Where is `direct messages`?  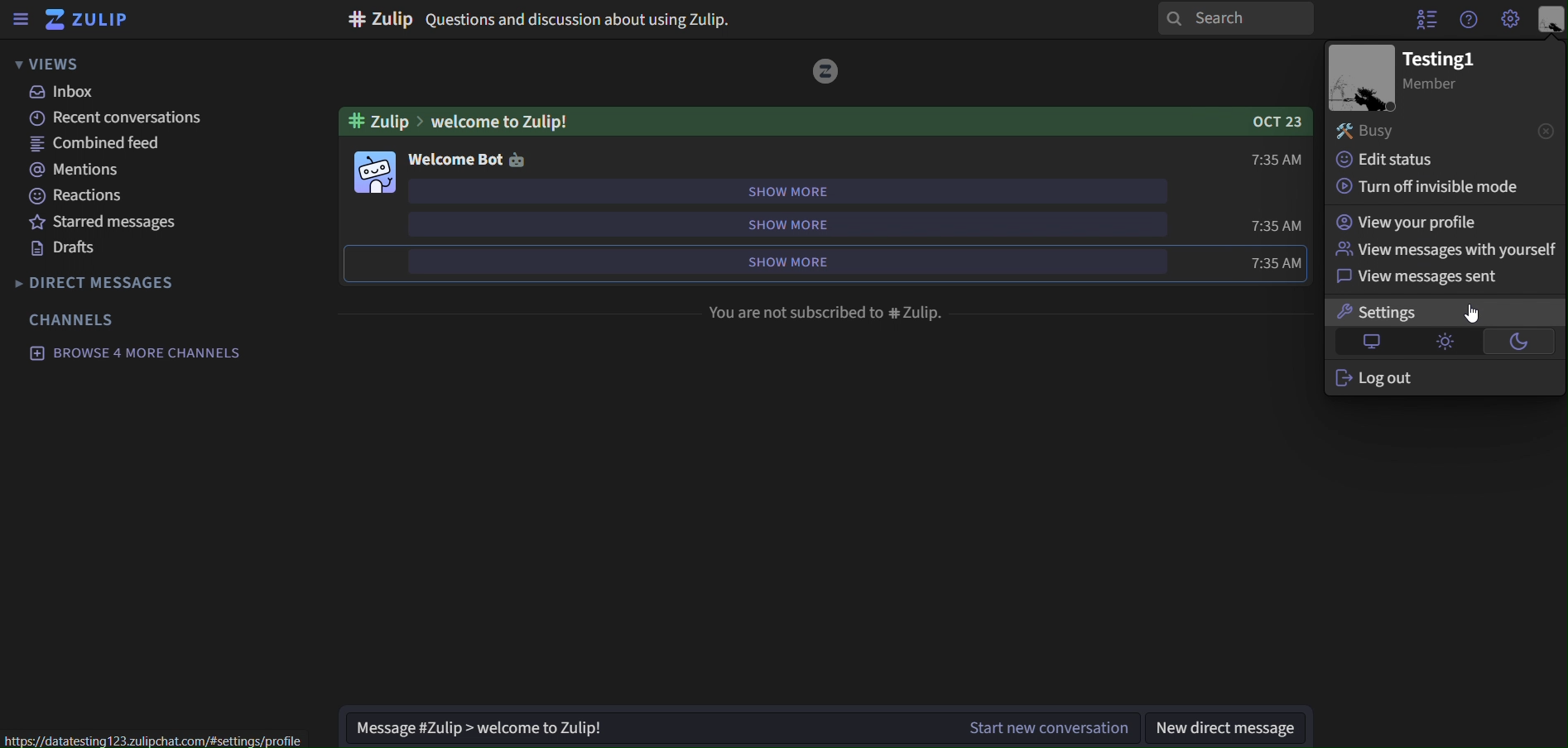
direct messages is located at coordinates (98, 280).